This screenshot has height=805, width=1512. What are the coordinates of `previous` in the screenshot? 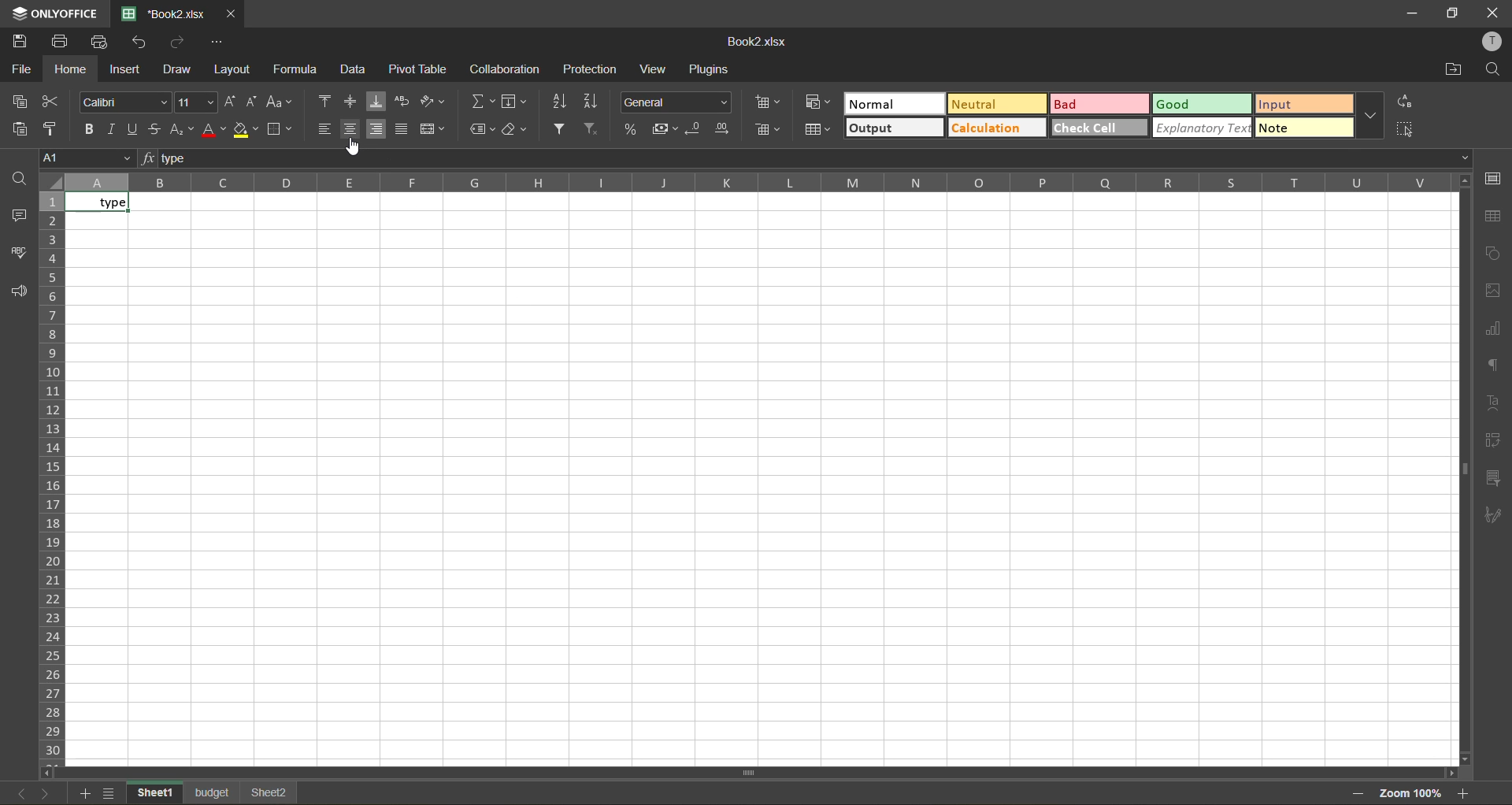 It's located at (16, 792).